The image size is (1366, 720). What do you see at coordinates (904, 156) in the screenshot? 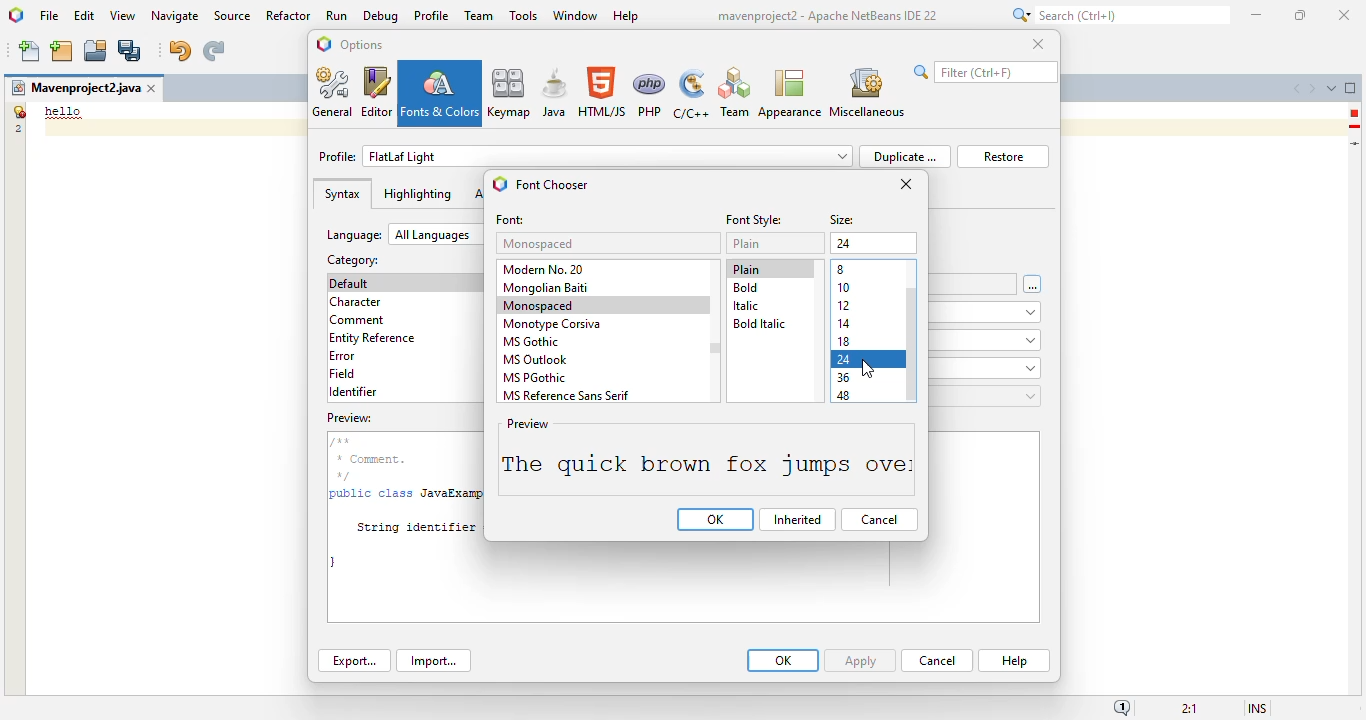
I see `duplicate` at bounding box center [904, 156].